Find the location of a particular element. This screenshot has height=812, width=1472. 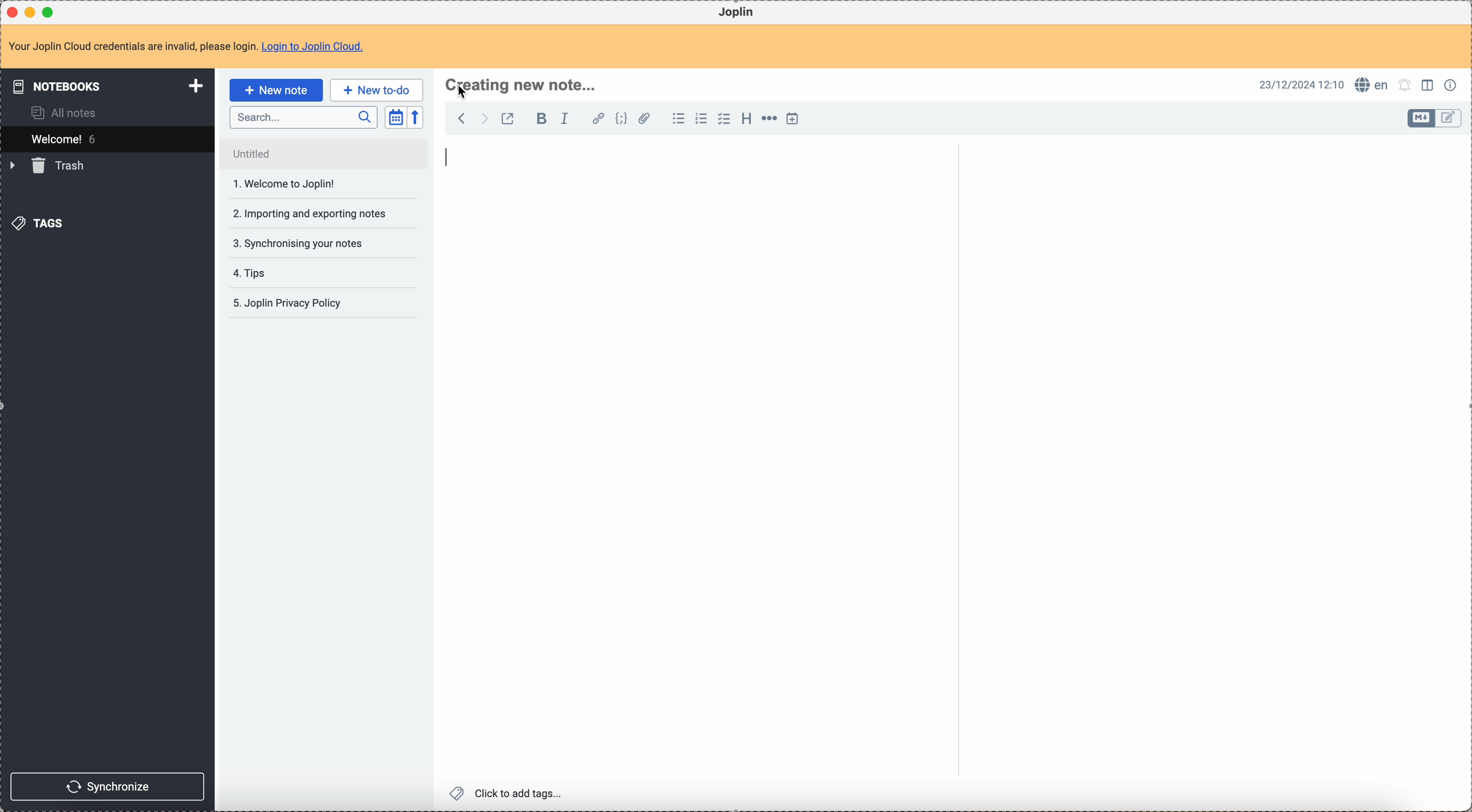

back is located at coordinates (458, 118).